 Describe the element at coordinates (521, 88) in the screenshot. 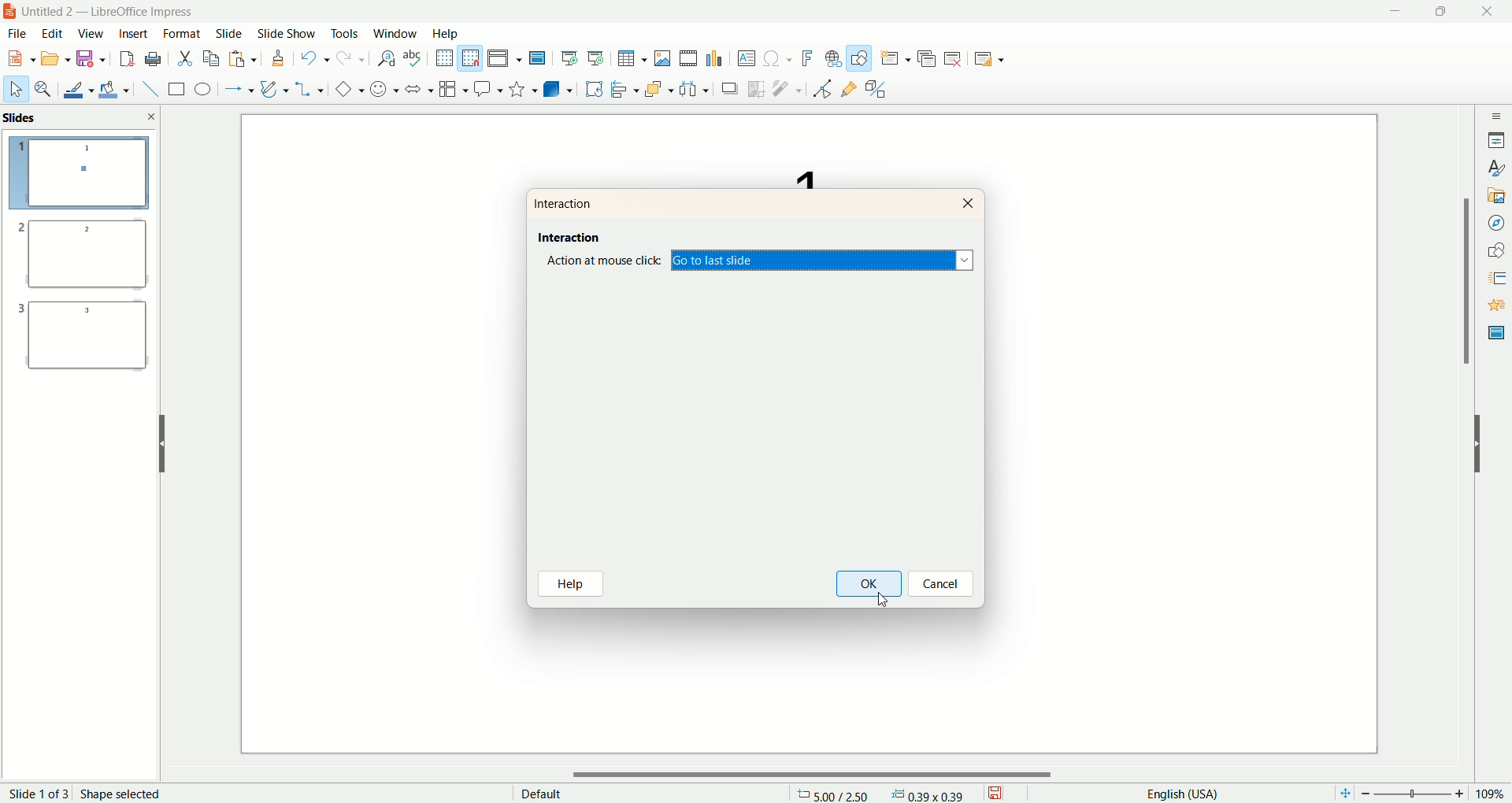

I see `stars and banners` at that location.